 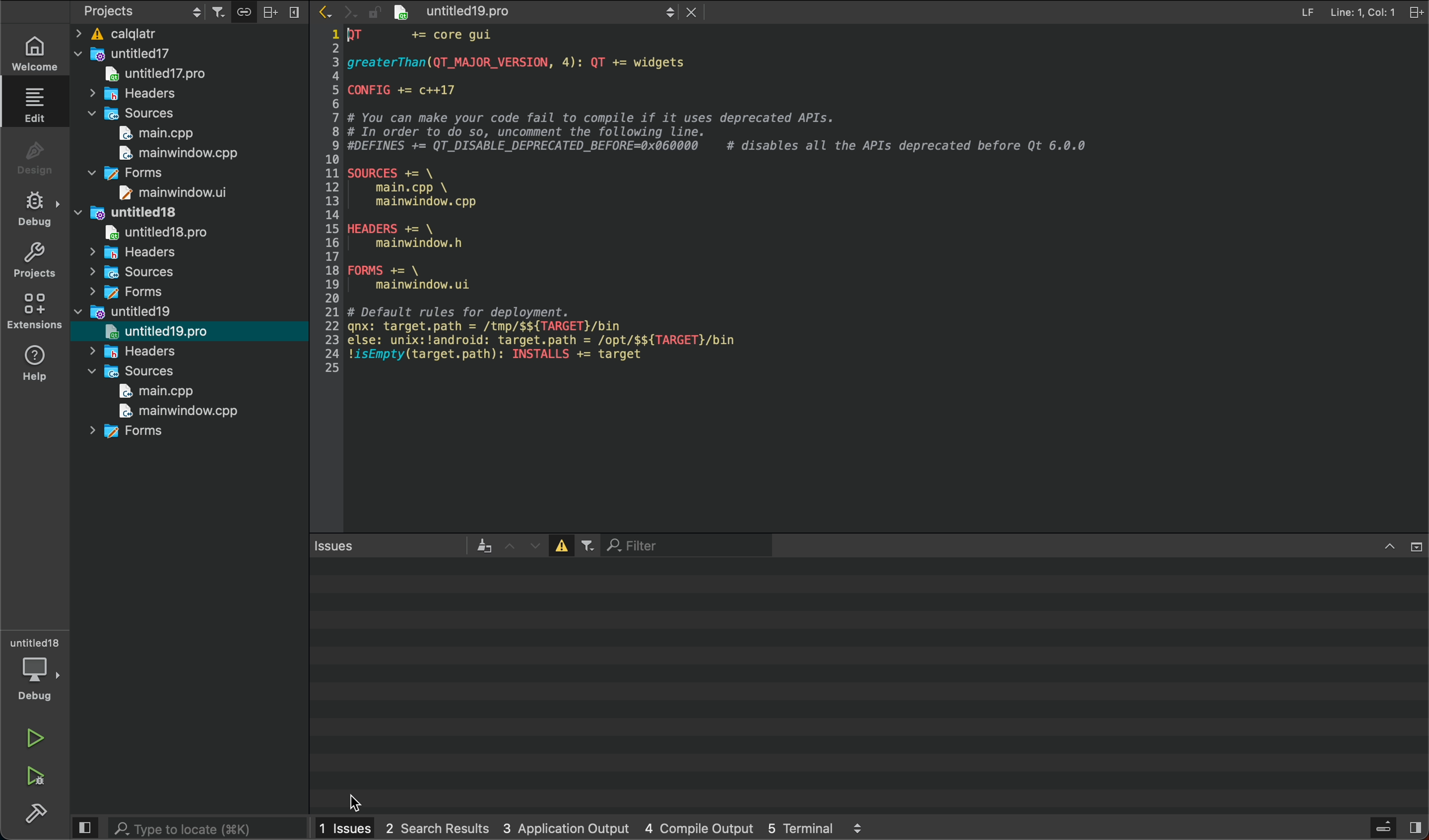 What do you see at coordinates (436, 824) in the screenshot?
I see `2 search results` at bounding box center [436, 824].